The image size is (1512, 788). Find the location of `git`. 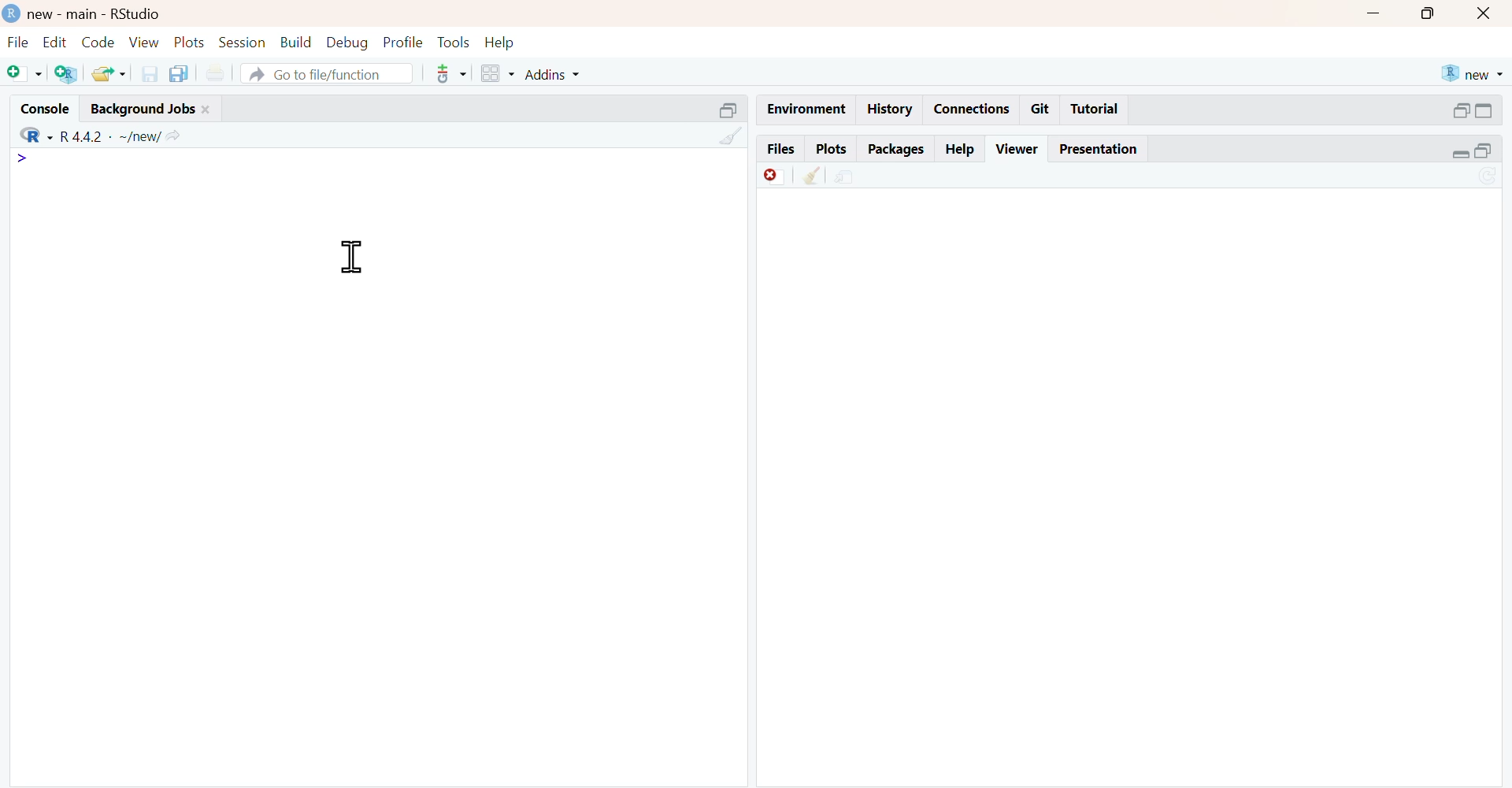

git is located at coordinates (1042, 110).